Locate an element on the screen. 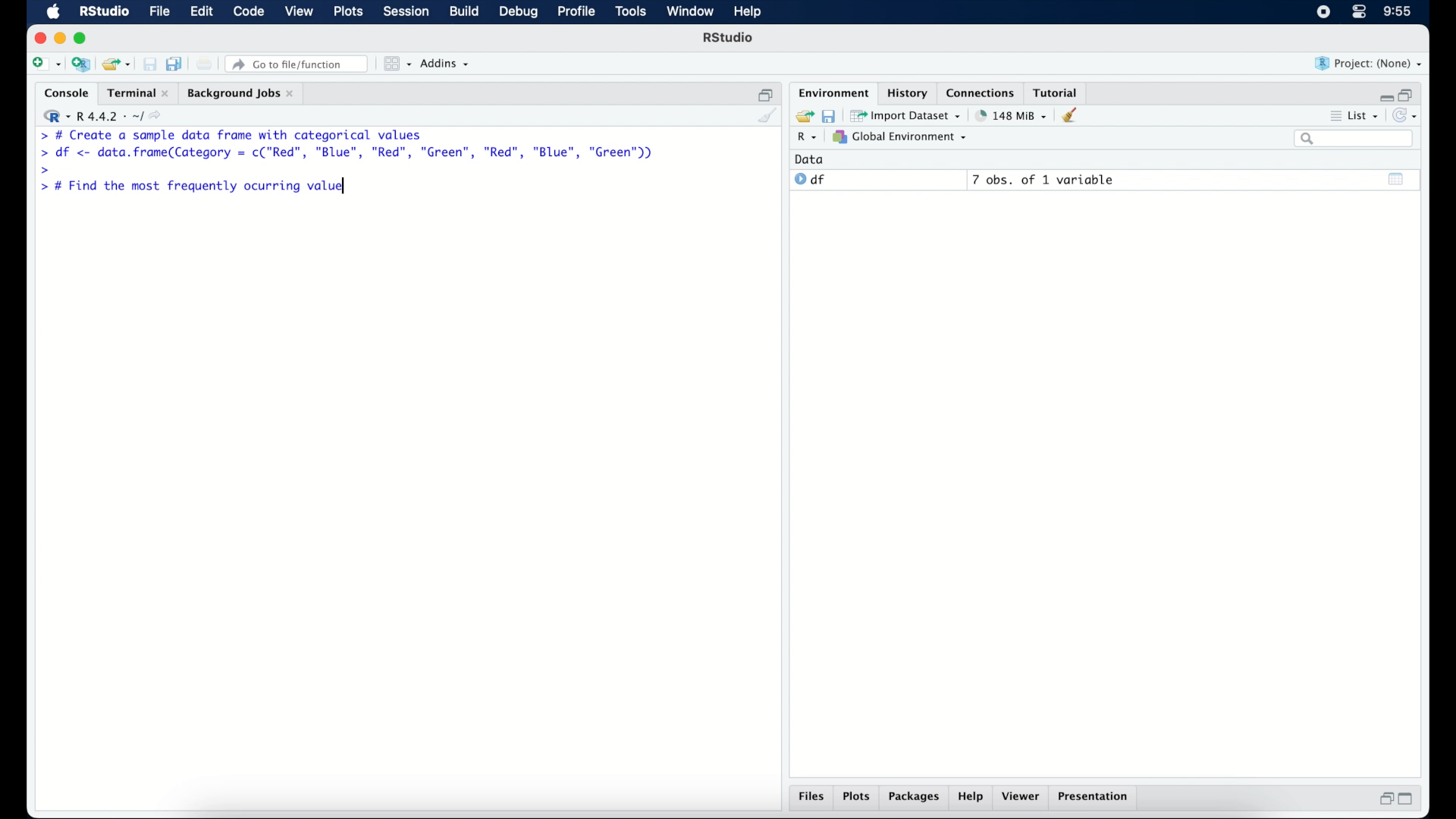 The height and width of the screenshot is (819, 1456). > # Create a sample data frame with categorical values| is located at coordinates (252, 134).